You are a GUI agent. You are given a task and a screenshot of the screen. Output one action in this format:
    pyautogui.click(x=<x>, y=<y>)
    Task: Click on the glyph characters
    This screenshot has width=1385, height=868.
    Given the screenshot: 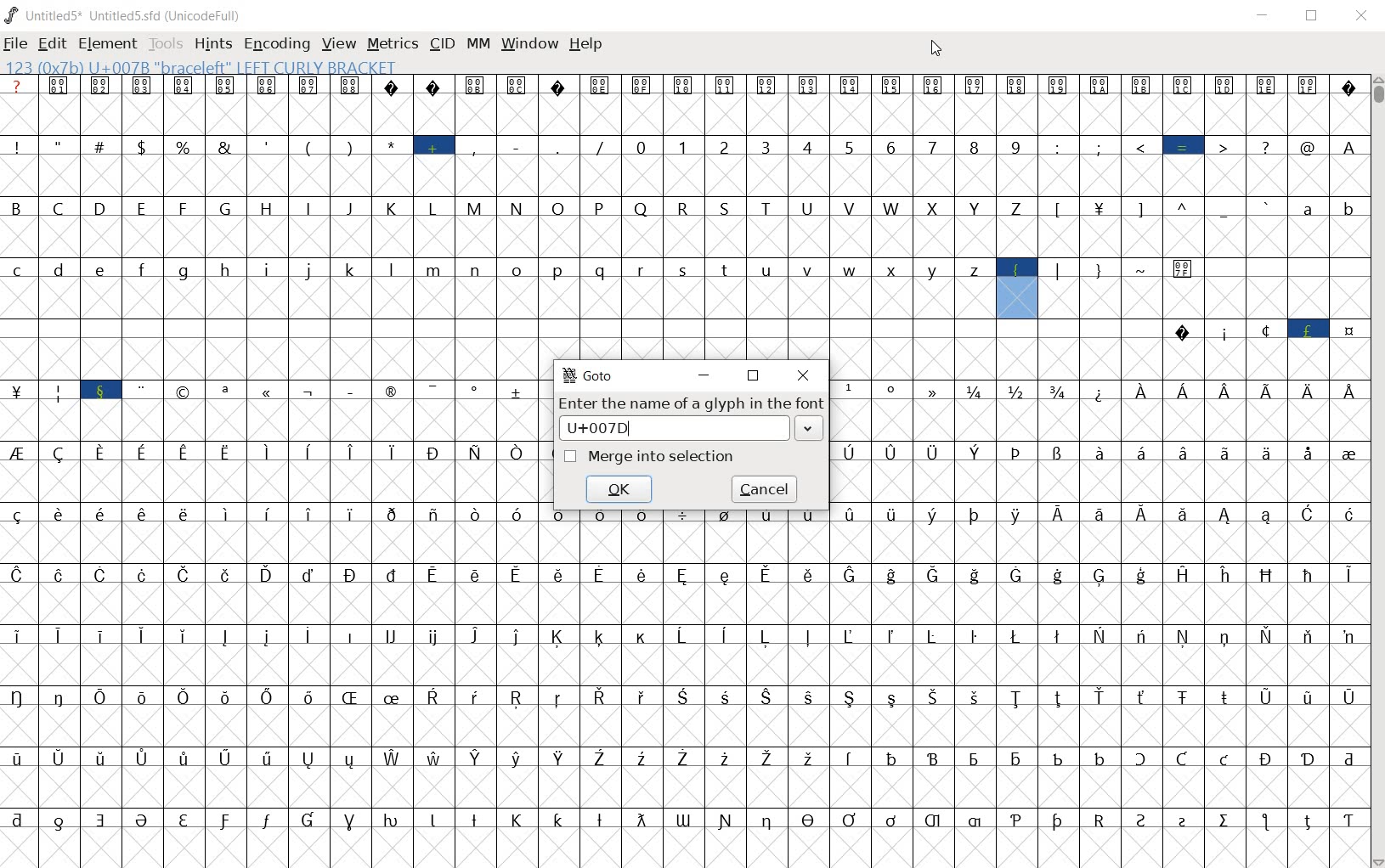 What is the action you would take?
    pyautogui.click(x=270, y=472)
    